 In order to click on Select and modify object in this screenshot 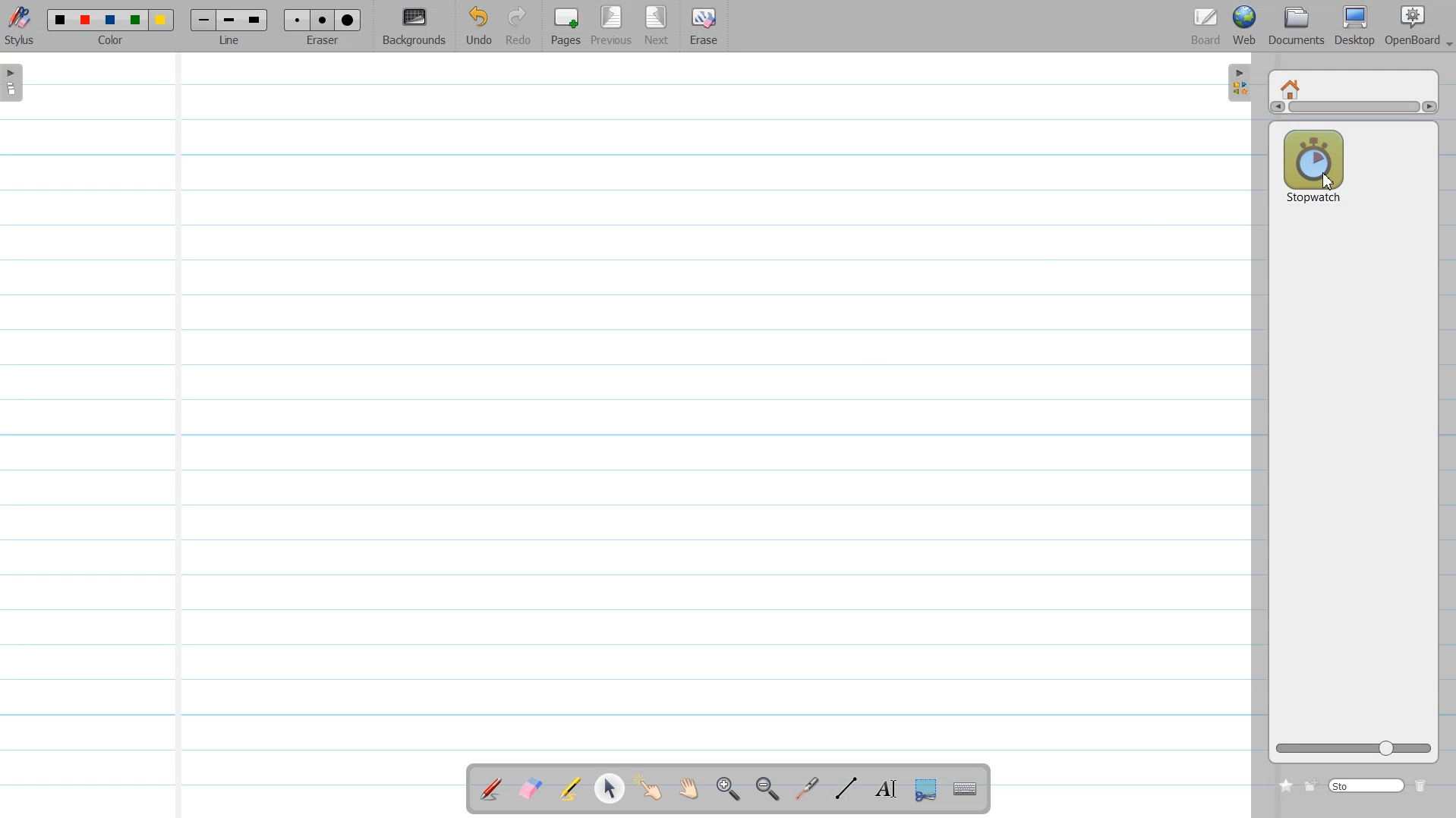, I will do `click(609, 788)`.